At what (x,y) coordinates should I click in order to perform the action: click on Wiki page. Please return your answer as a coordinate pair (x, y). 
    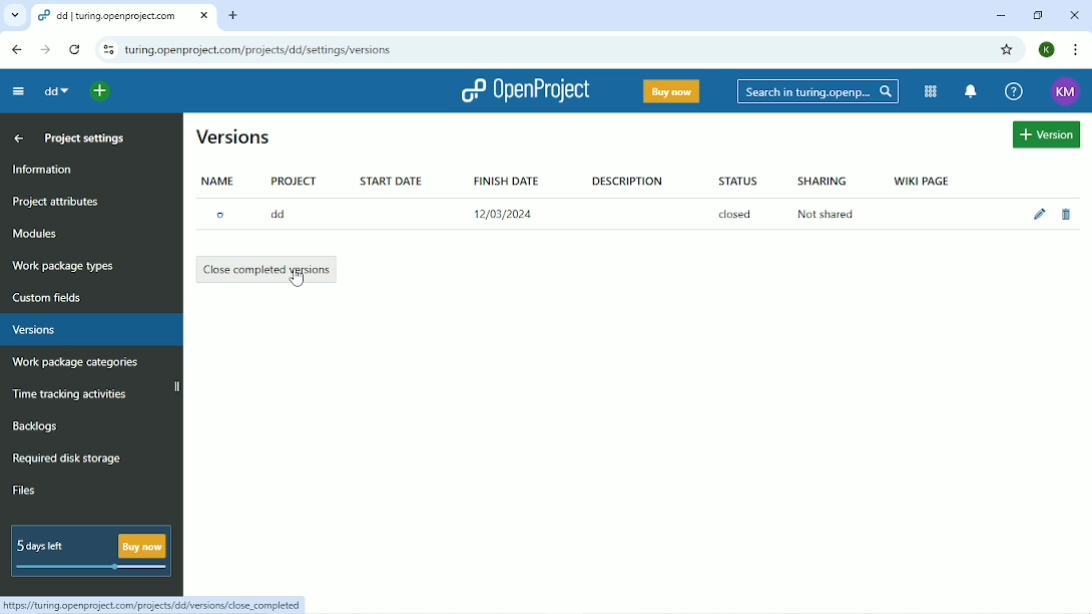
    Looking at the image, I should click on (921, 180).